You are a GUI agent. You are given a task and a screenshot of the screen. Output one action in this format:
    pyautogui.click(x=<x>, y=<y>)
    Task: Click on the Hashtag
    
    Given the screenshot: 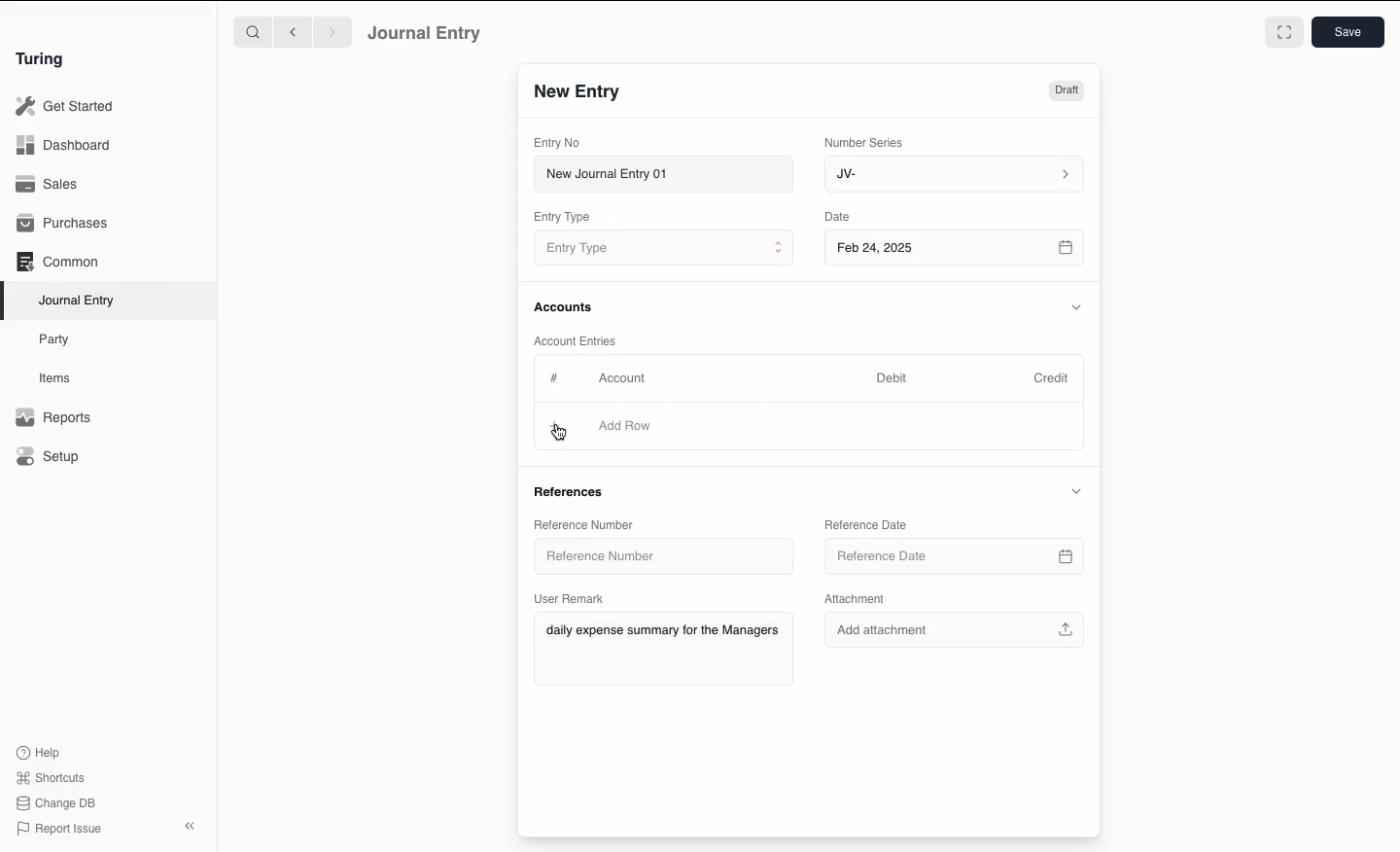 What is the action you would take?
    pyautogui.click(x=556, y=377)
    